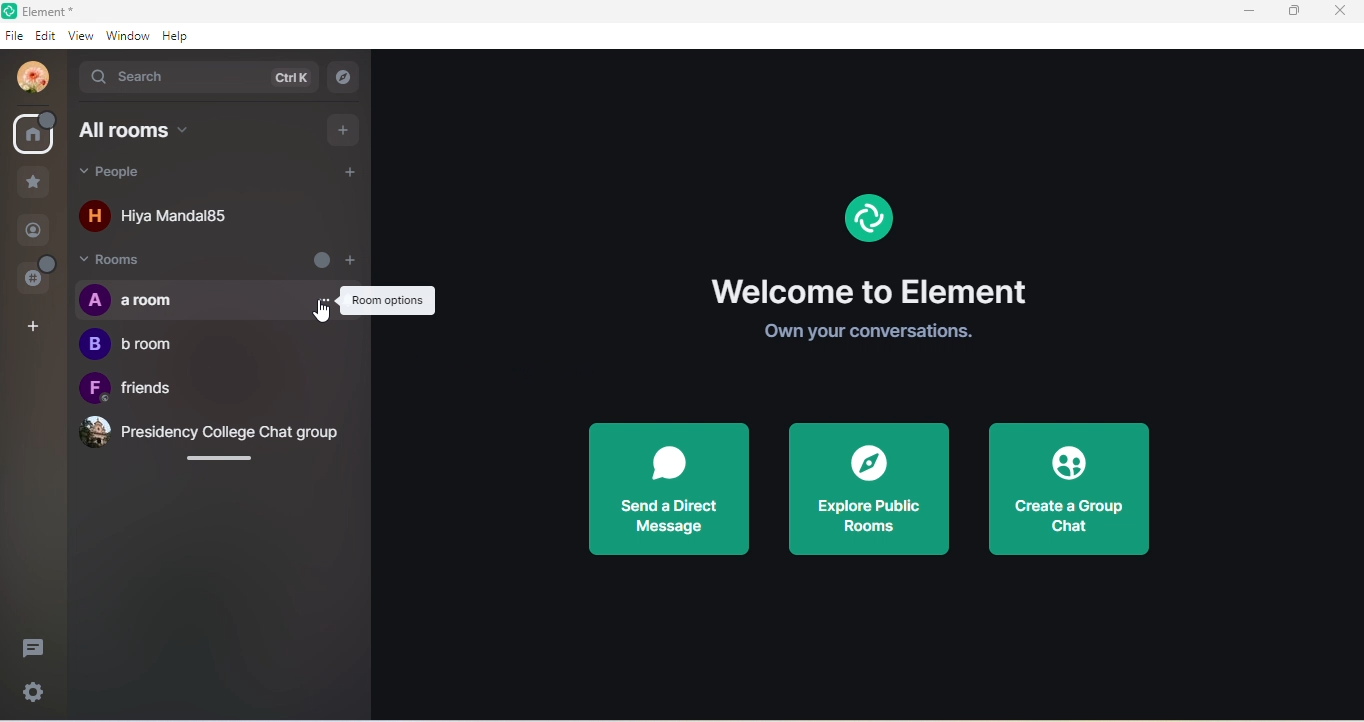  What do you see at coordinates (346, 79) in the screenshot?
I see `explore` at bounding box center [346, 79].